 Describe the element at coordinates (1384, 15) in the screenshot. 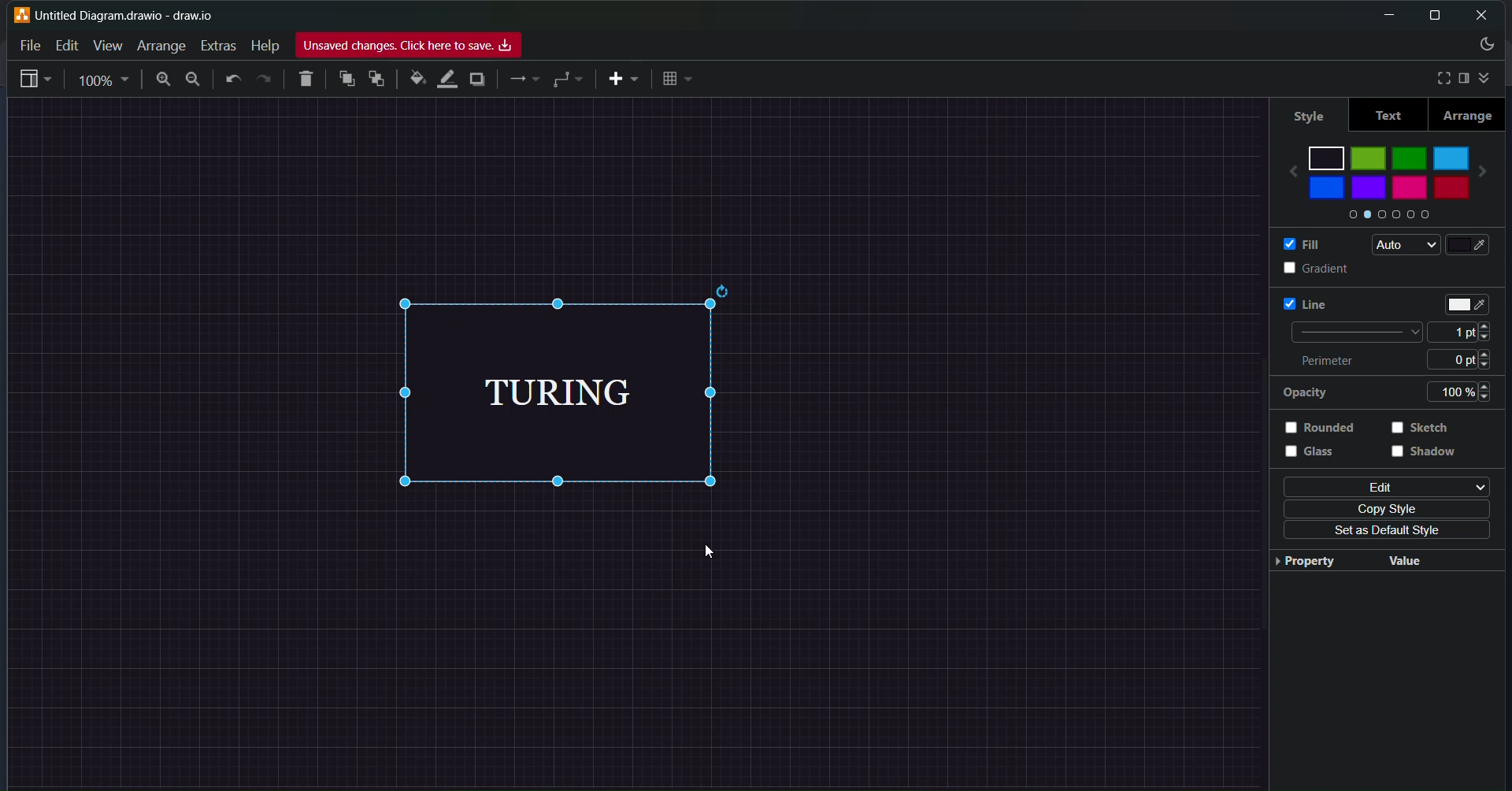

I see `minimize` at that location.